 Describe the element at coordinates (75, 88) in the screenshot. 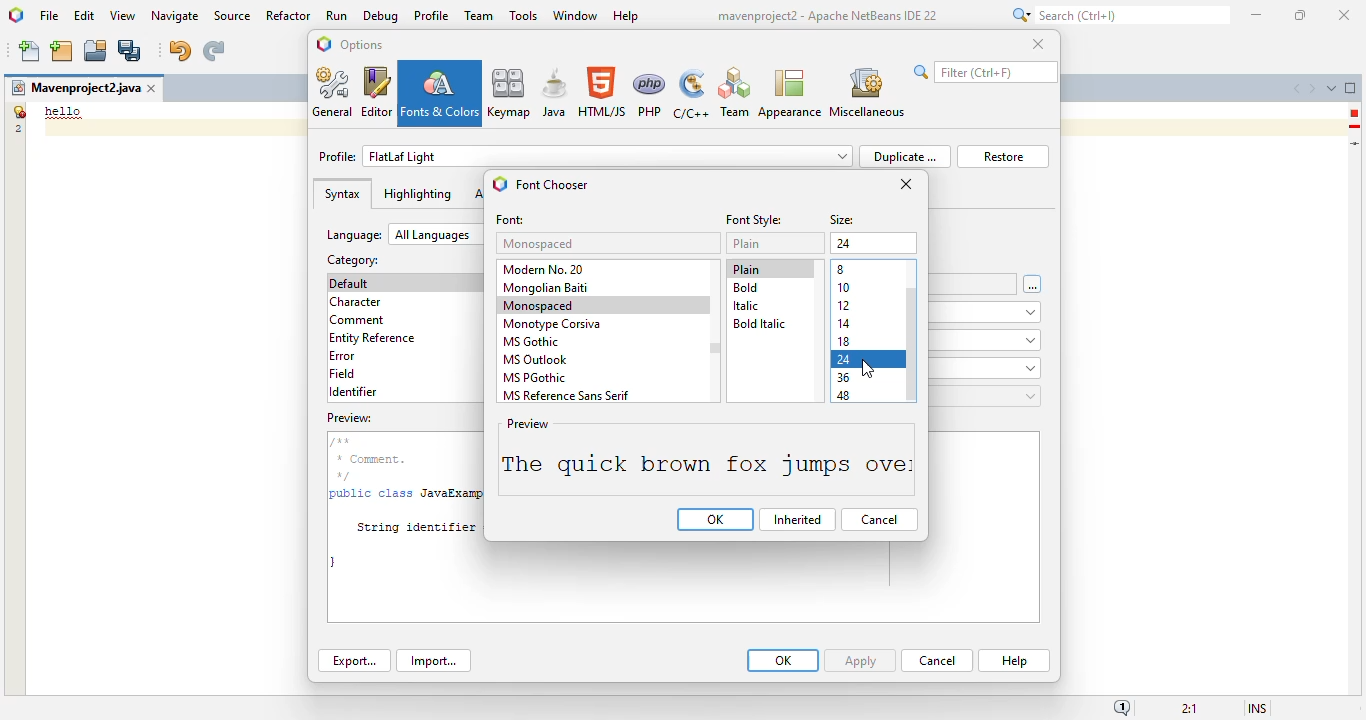

I see `project name` at that location.